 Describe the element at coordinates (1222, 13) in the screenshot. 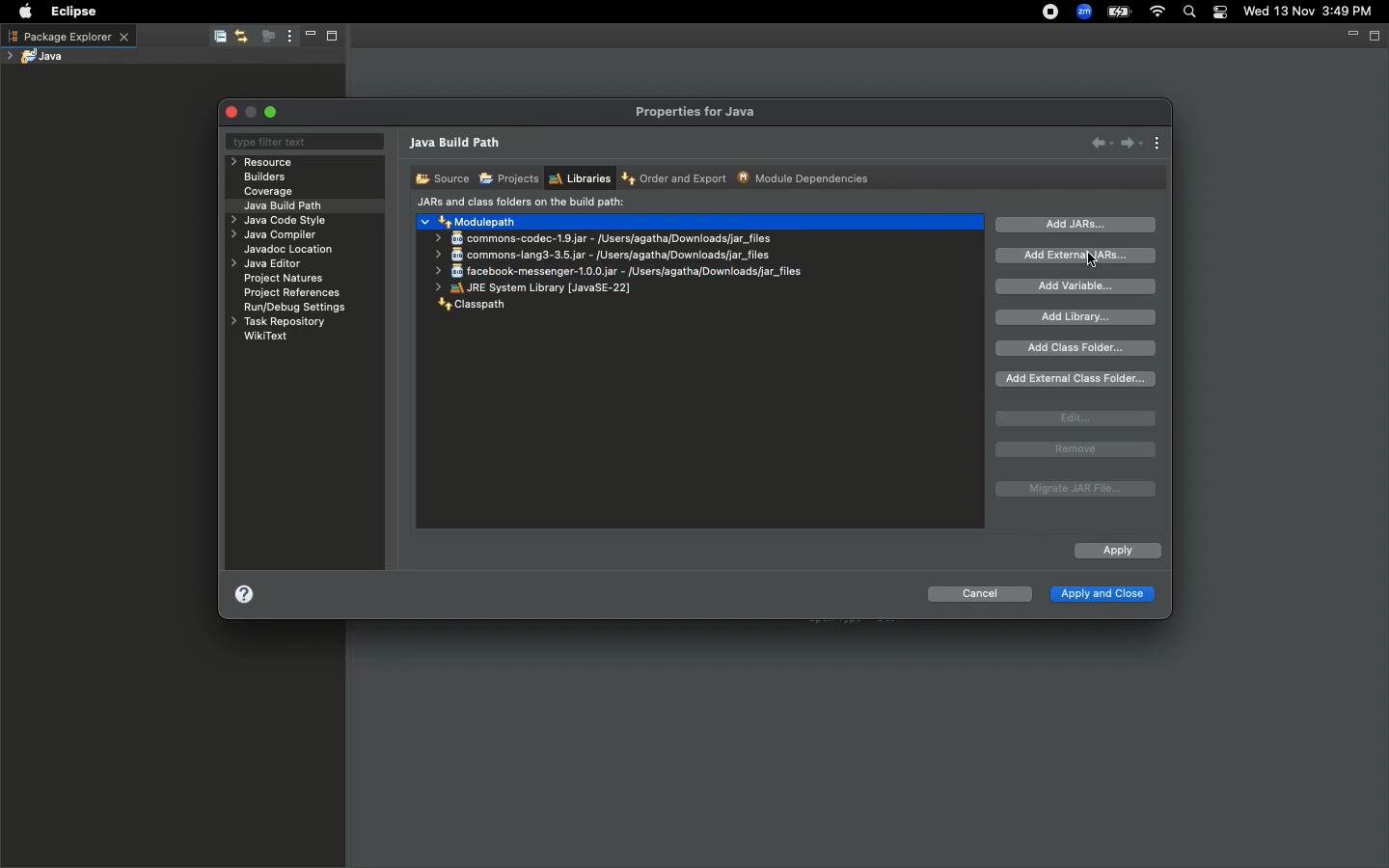

I see `Notification` at that location.